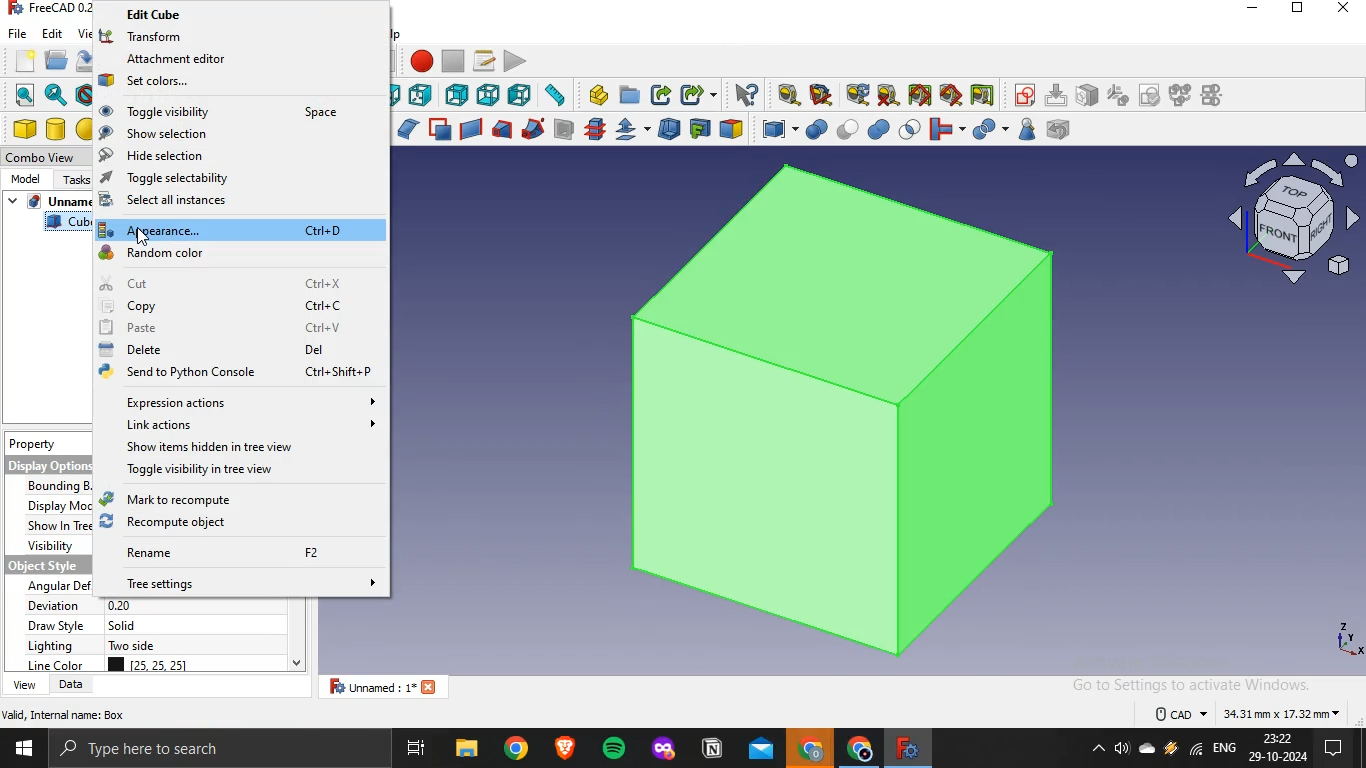 Image resolution: width=1366 pixels, height=768 pixels. Describe the element at coordinates (218, 35) in the screenshot. I see `transform` at that location.